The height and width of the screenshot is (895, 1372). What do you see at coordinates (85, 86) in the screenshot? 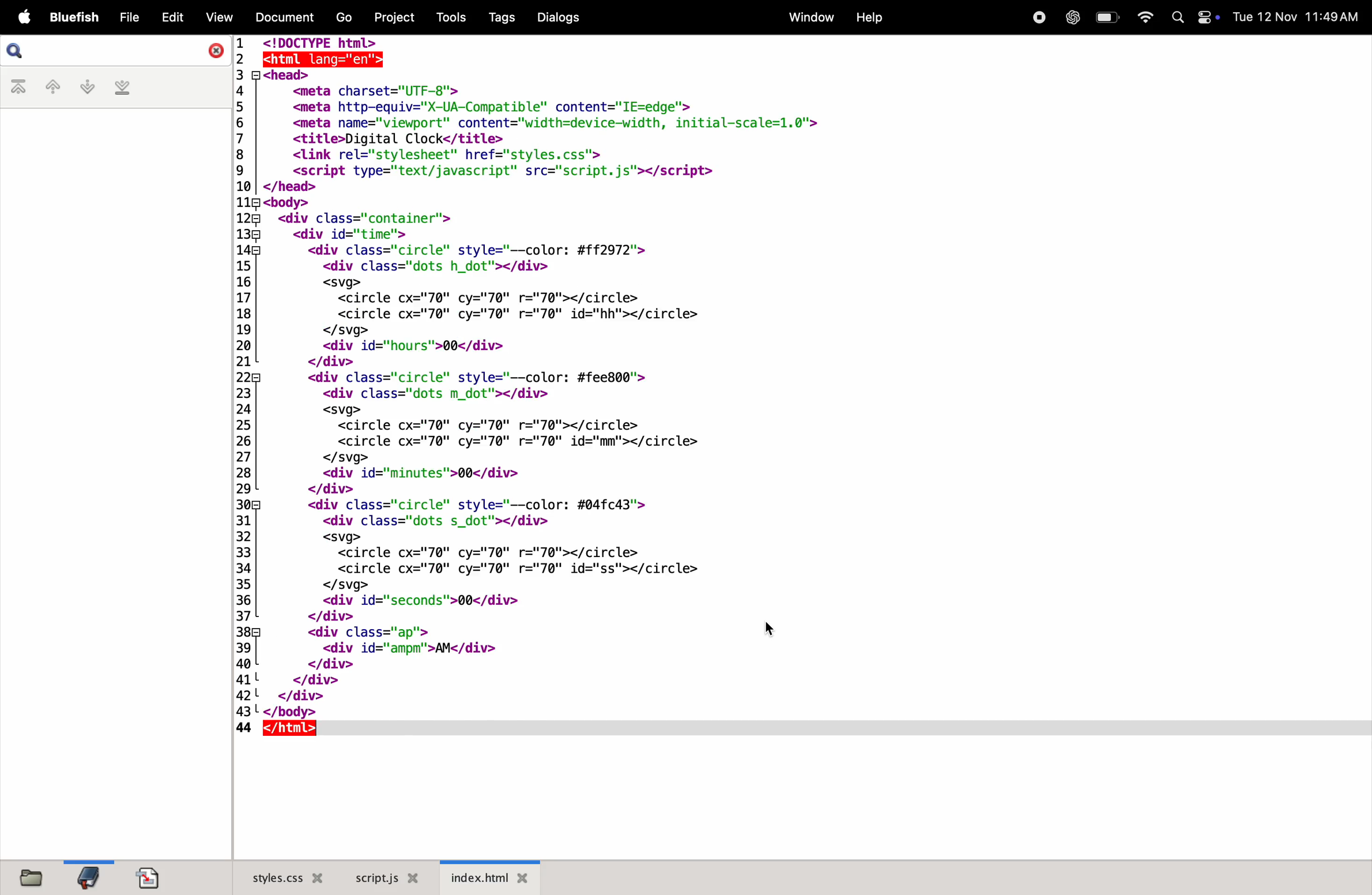
I see `next bookmark` at bounding box center [85, 86].